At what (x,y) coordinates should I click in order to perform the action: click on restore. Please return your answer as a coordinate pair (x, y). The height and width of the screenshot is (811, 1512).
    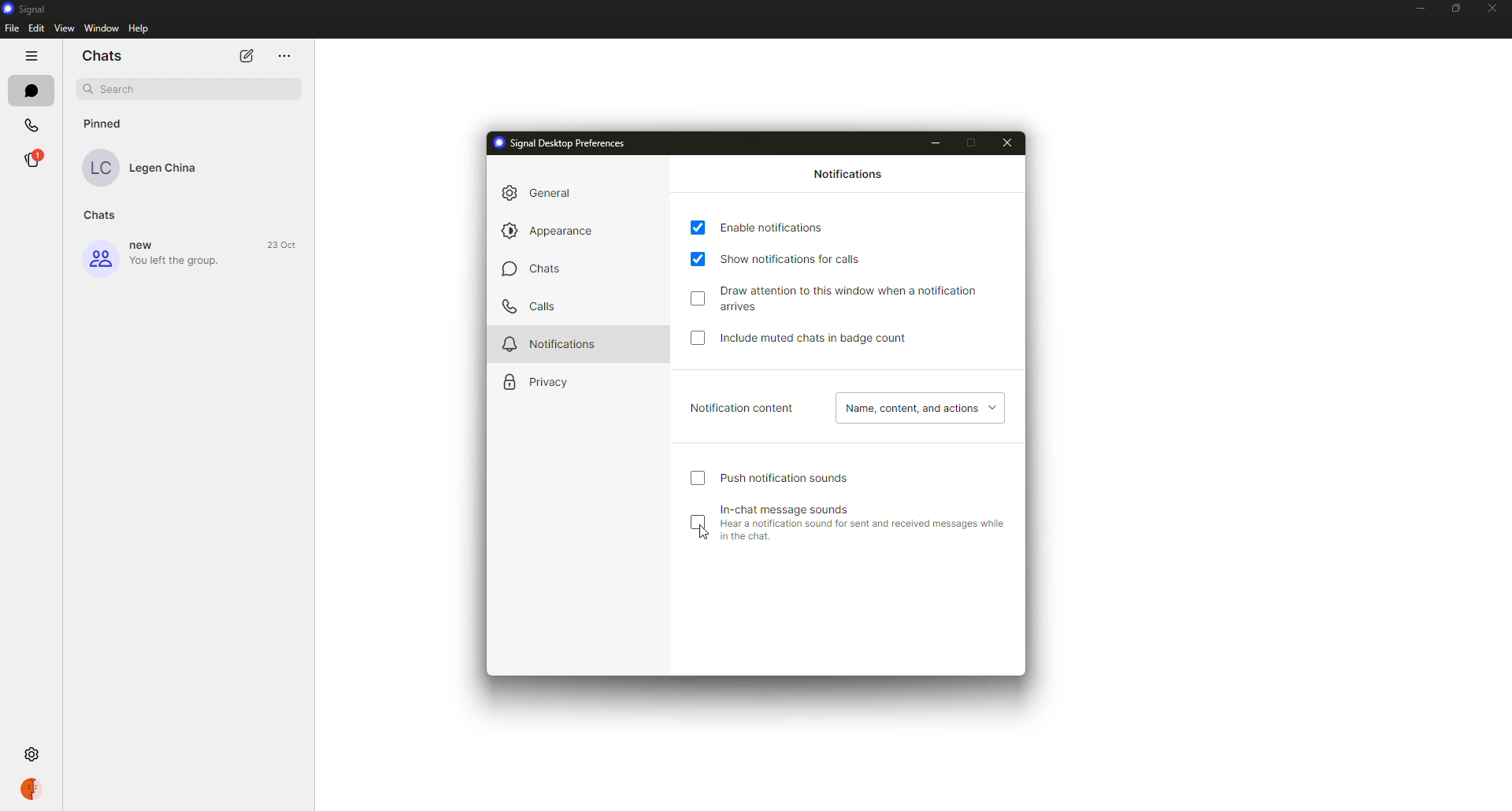
    Looking at the image, I should click on (1455, 9).